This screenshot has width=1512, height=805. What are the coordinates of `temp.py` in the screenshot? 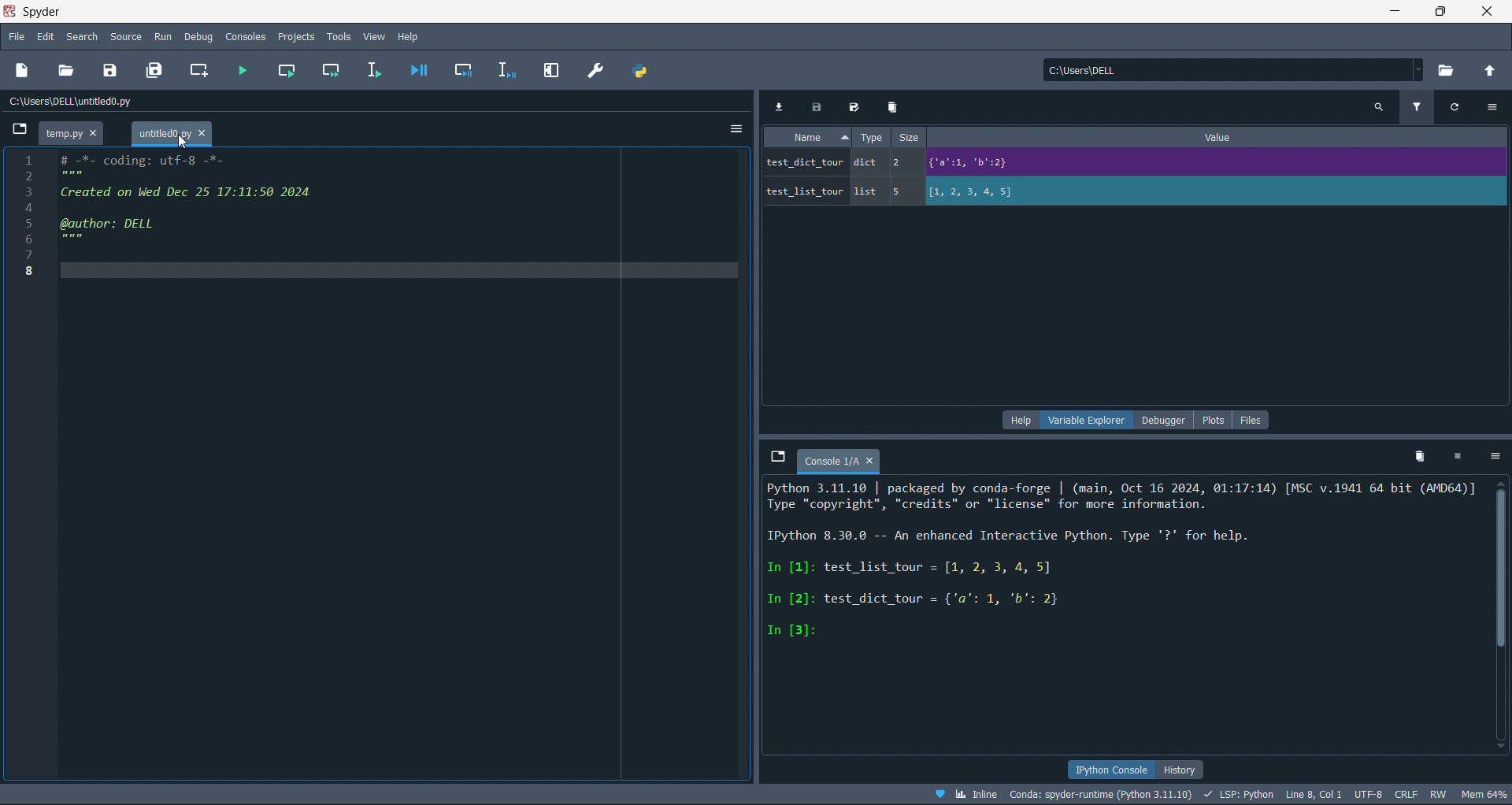 It's located at (172, 135).